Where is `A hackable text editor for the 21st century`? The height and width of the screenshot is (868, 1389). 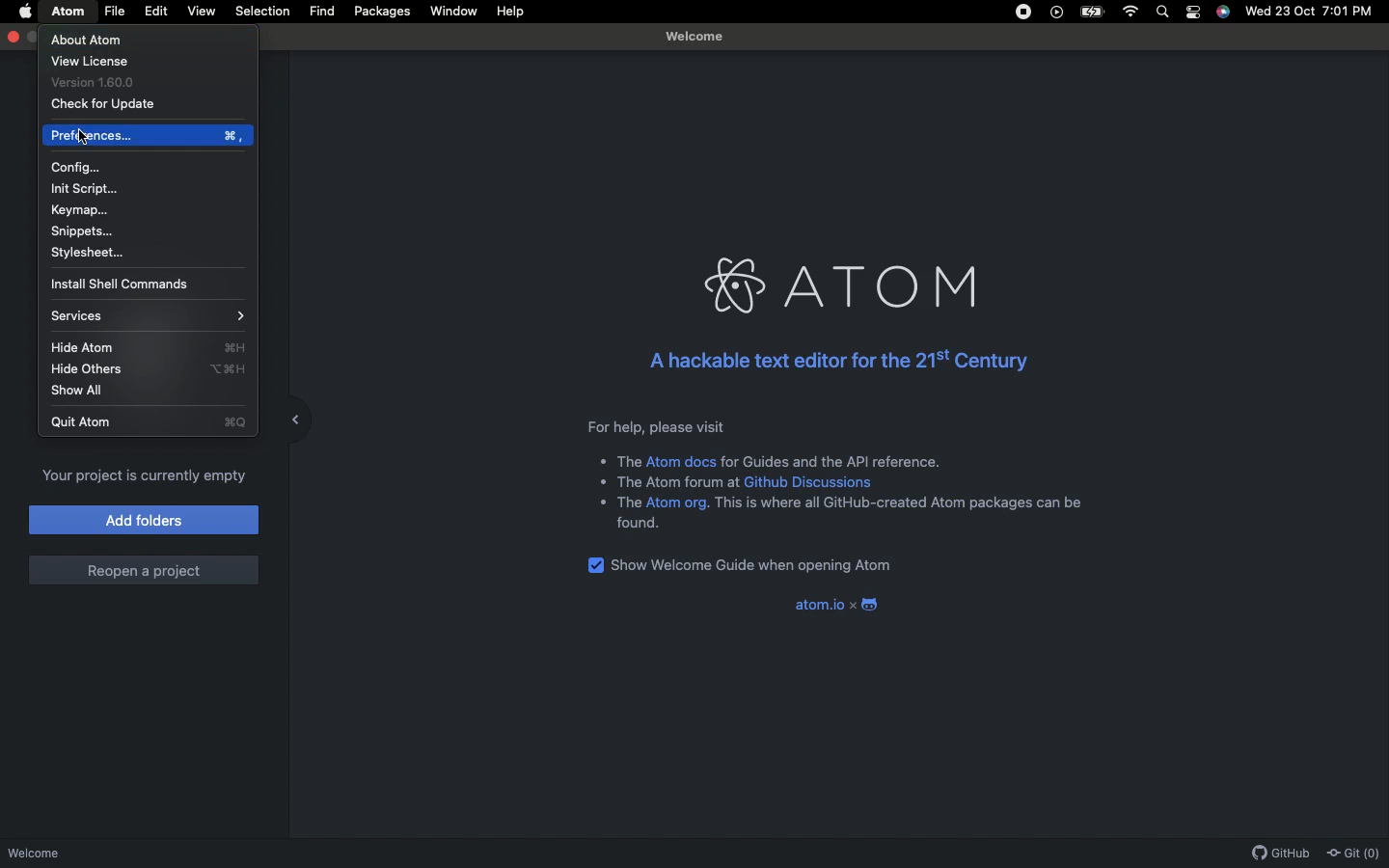 A hackable text editor for the 21st century is located at coordinates (840, 366).